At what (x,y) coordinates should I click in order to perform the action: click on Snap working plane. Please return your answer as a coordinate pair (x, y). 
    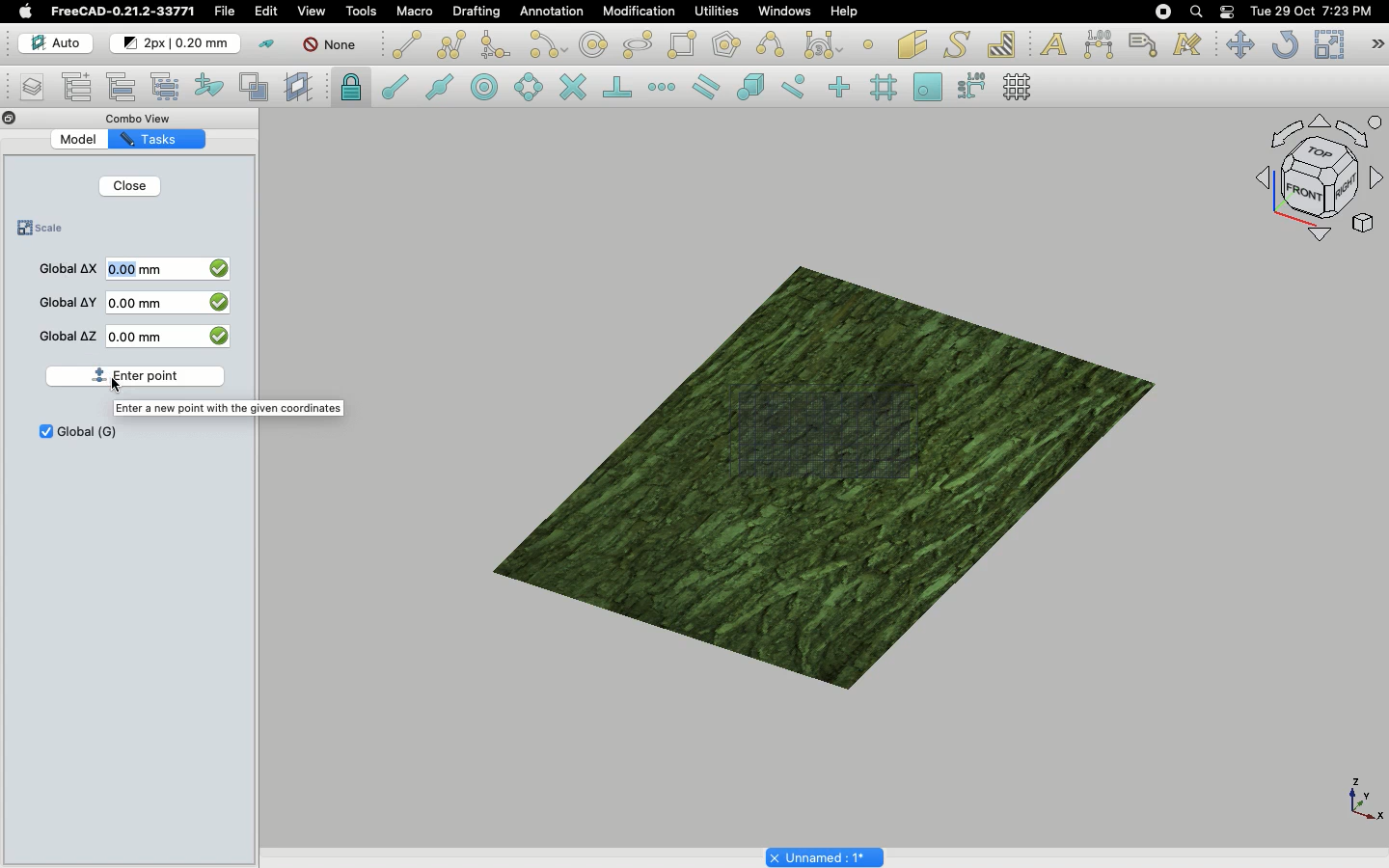
    Looking at the image, I should click on (925, 84).